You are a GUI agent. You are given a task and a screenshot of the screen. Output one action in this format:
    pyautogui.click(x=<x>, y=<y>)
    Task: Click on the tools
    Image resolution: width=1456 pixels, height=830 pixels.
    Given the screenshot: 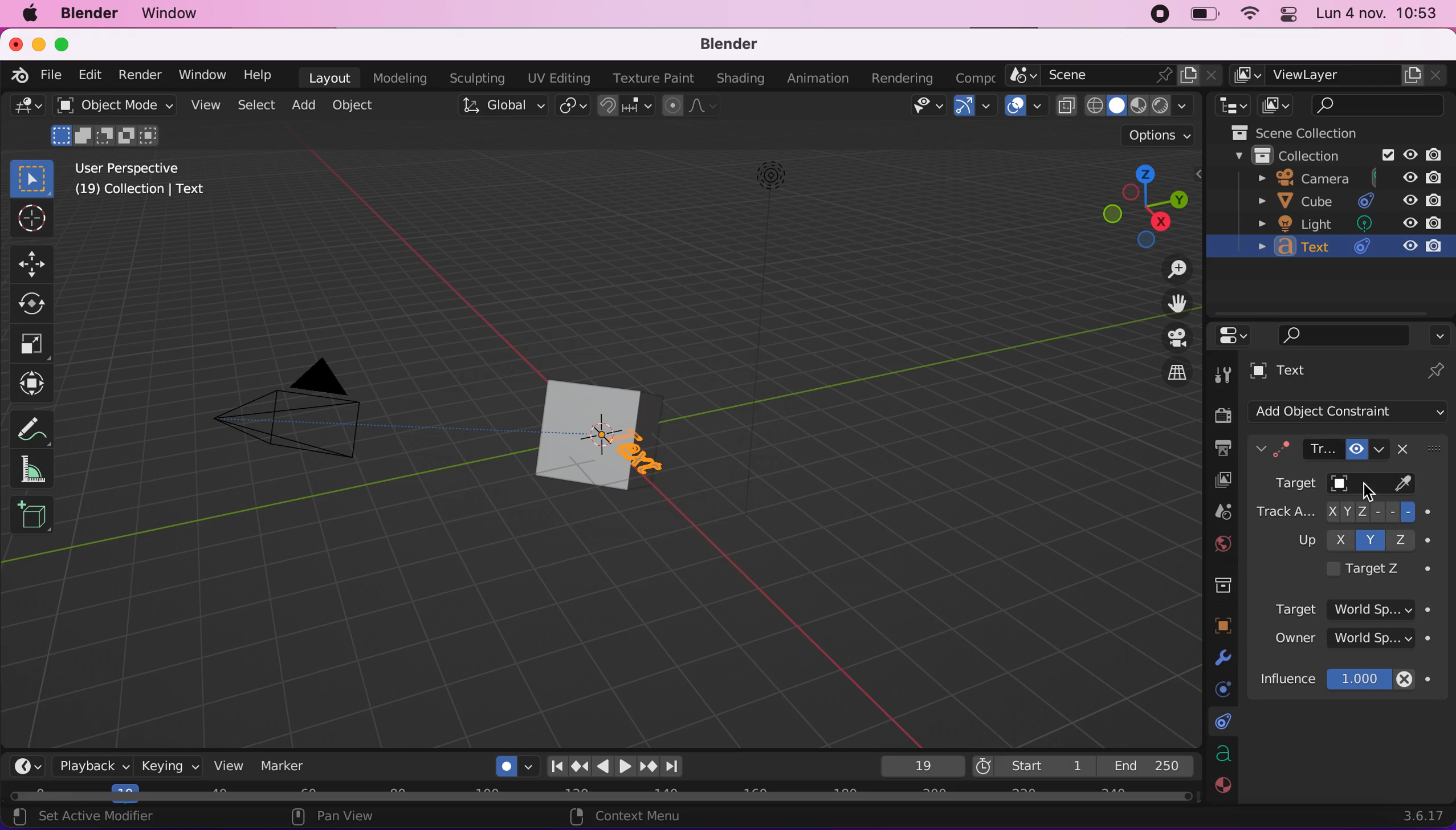 What is the action you would take?
    pyautogui.click(x=1226, y=371)
    